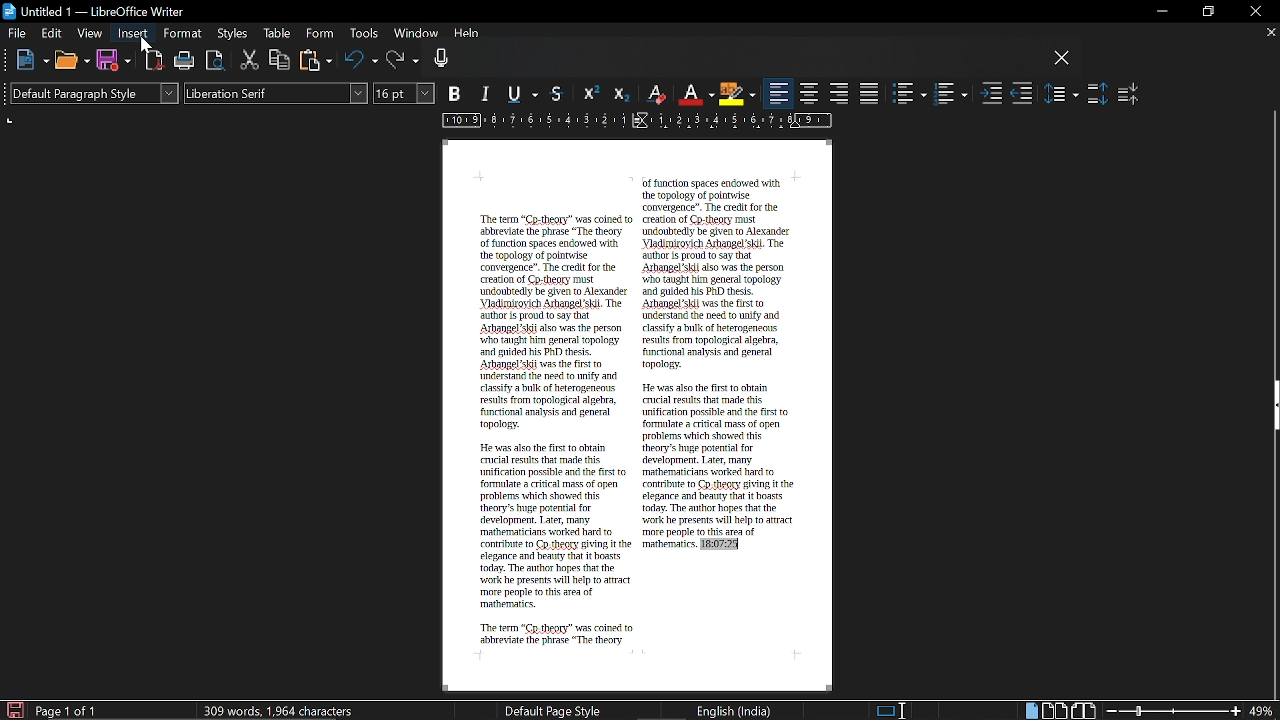 This screenshot has height=720, width=1280. Describe the element at coordinates (619, 94) in the screenshot. I see `Subscript` at that location.